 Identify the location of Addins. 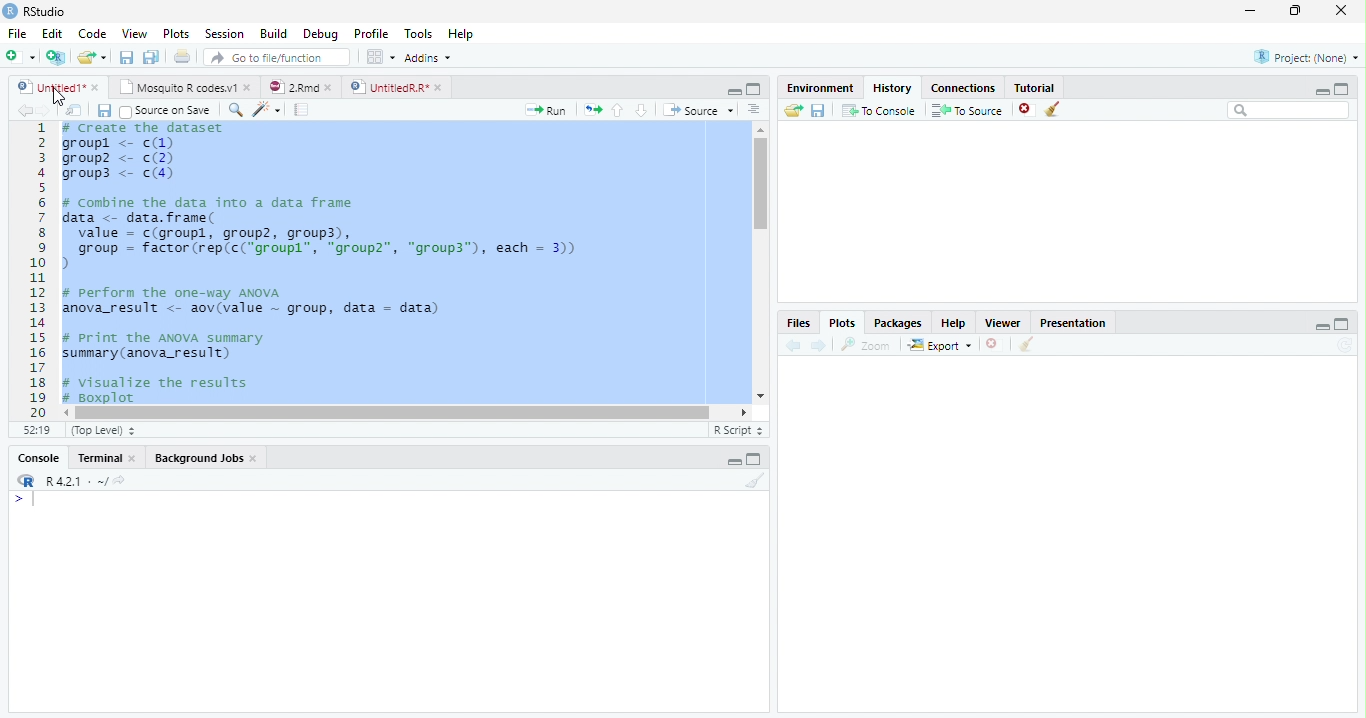
(429, 59).